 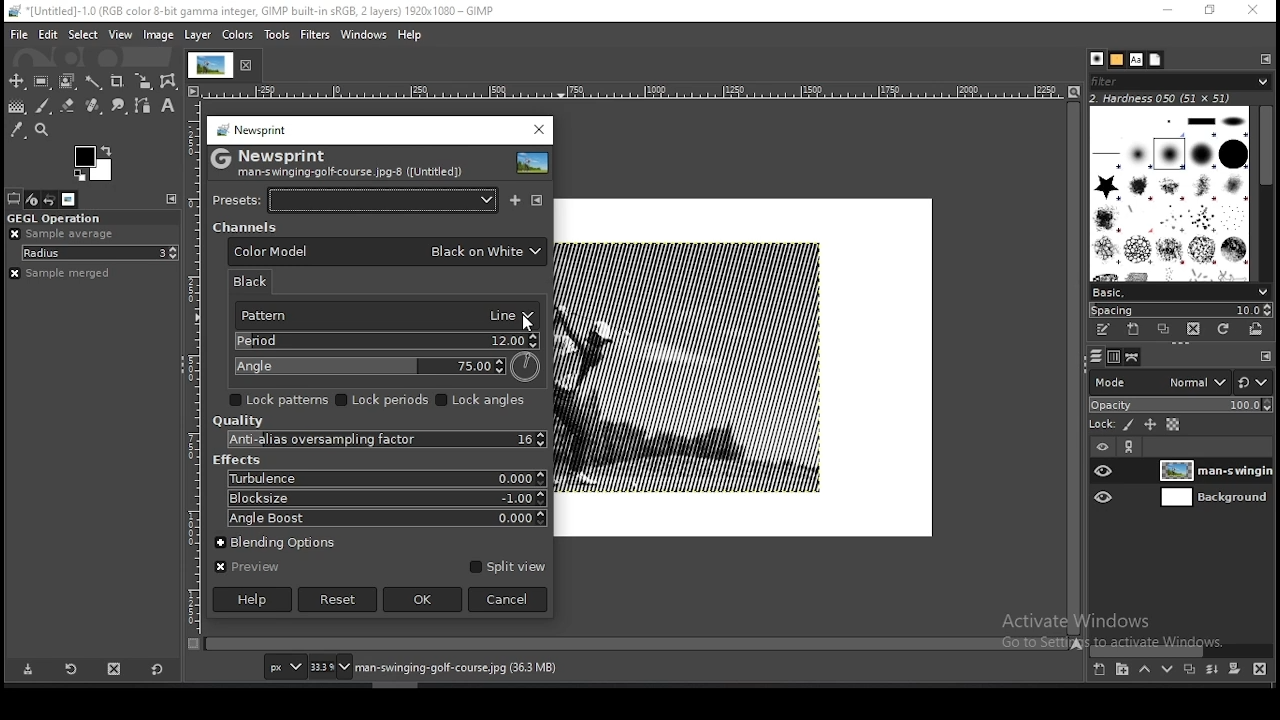 What do you see at coordinates (1181, 309) in the screenshot?
I see `spacing` at bounding box center [1181, 309].